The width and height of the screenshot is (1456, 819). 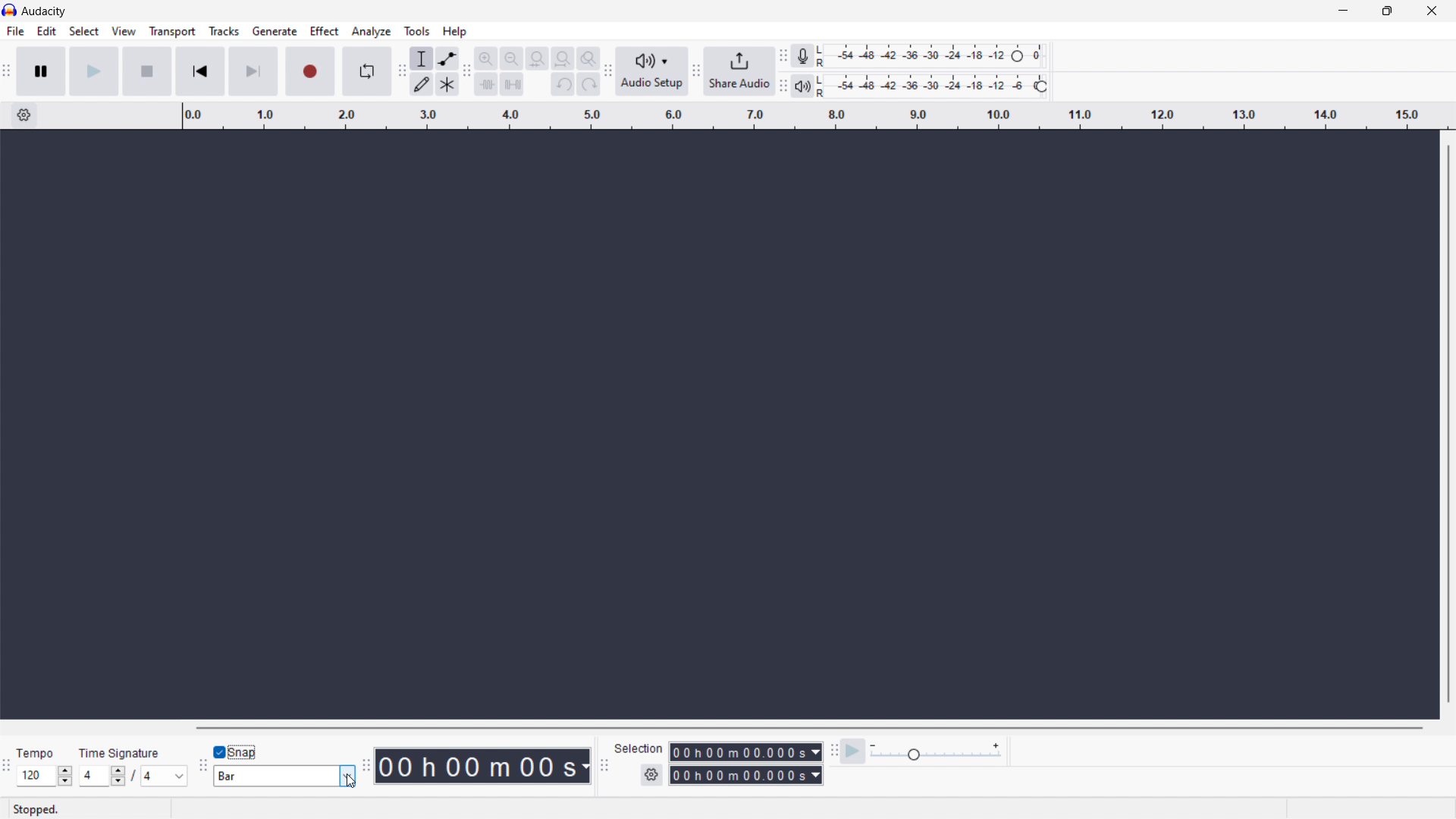 I want to click on redo, so click(x=588, y=83).